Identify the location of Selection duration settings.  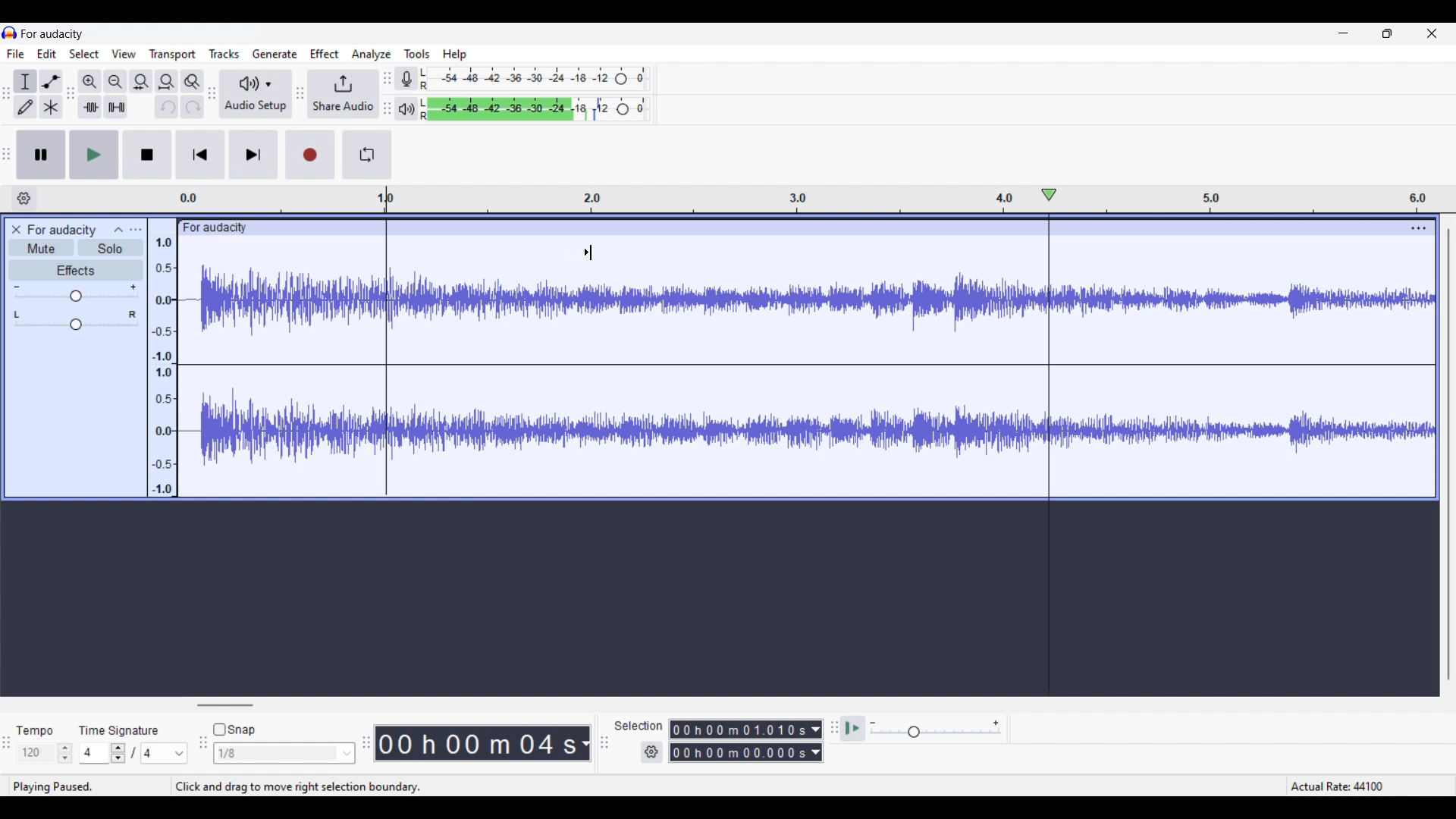
(651, 752).